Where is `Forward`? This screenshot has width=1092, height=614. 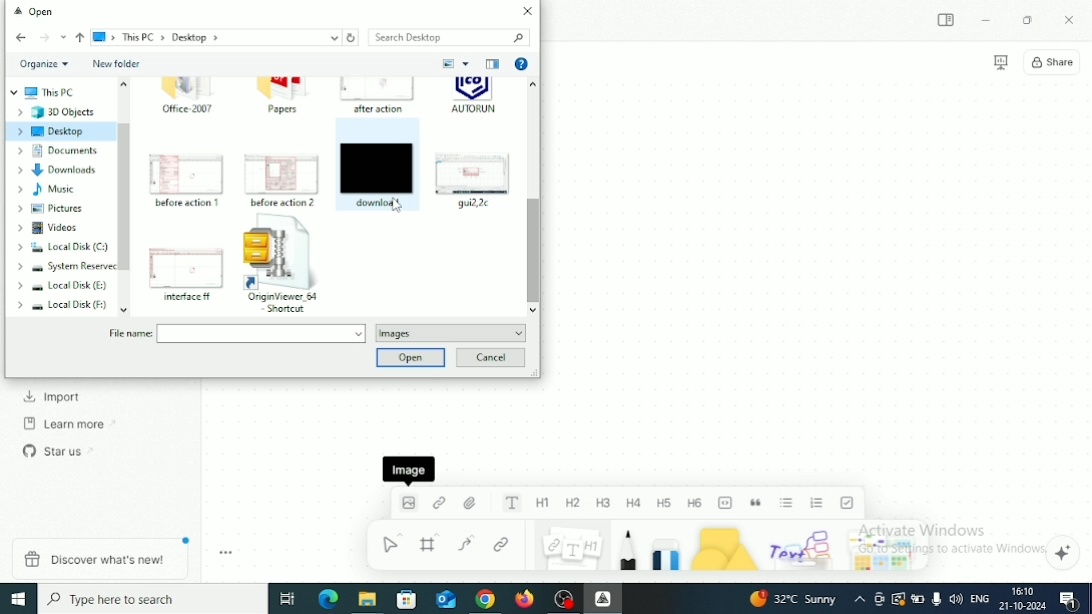 Forward is located at coordinates (43, 38).